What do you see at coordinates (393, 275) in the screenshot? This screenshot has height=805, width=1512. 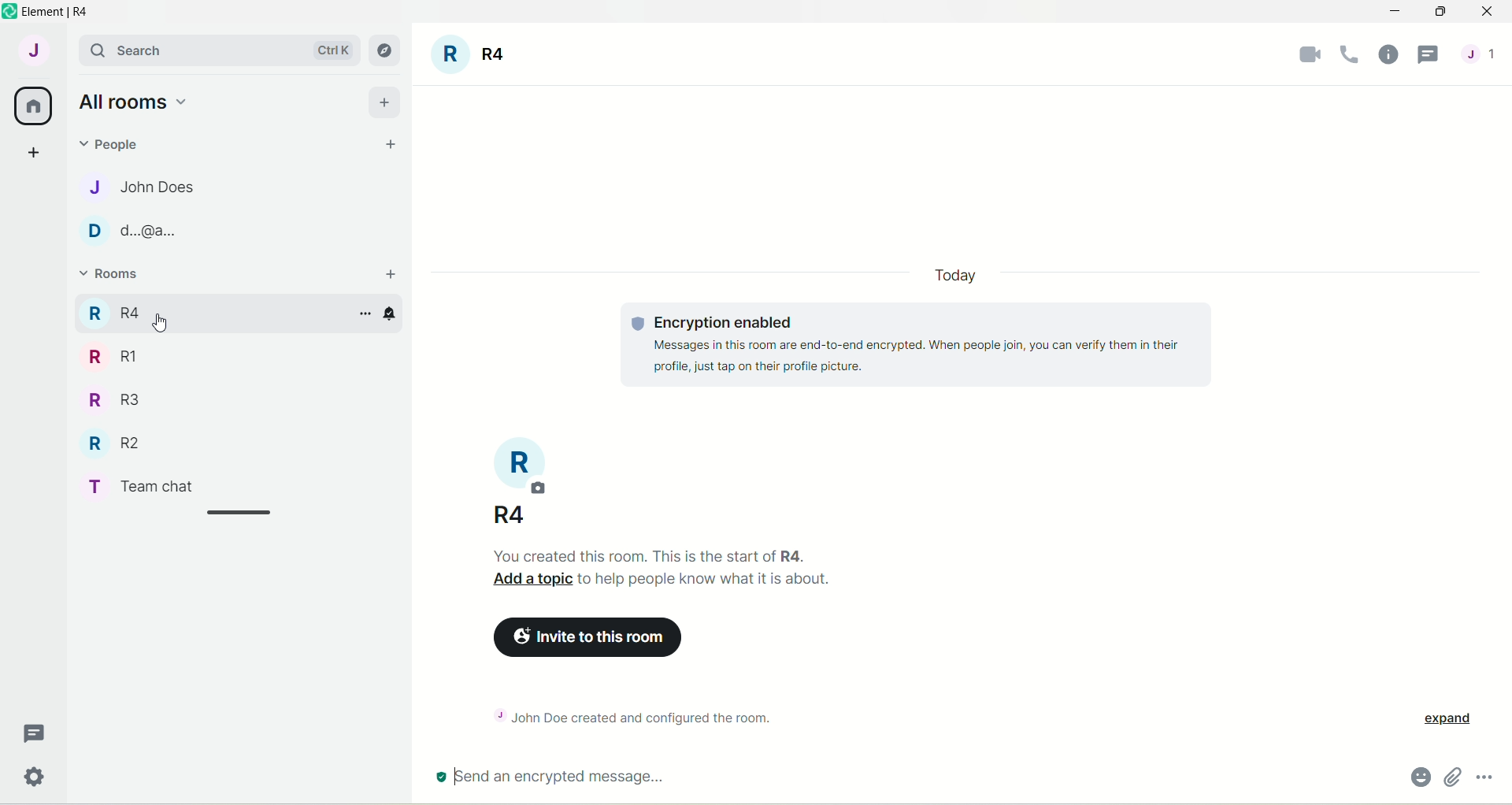 I see `add` at bounding box center [393, 275].